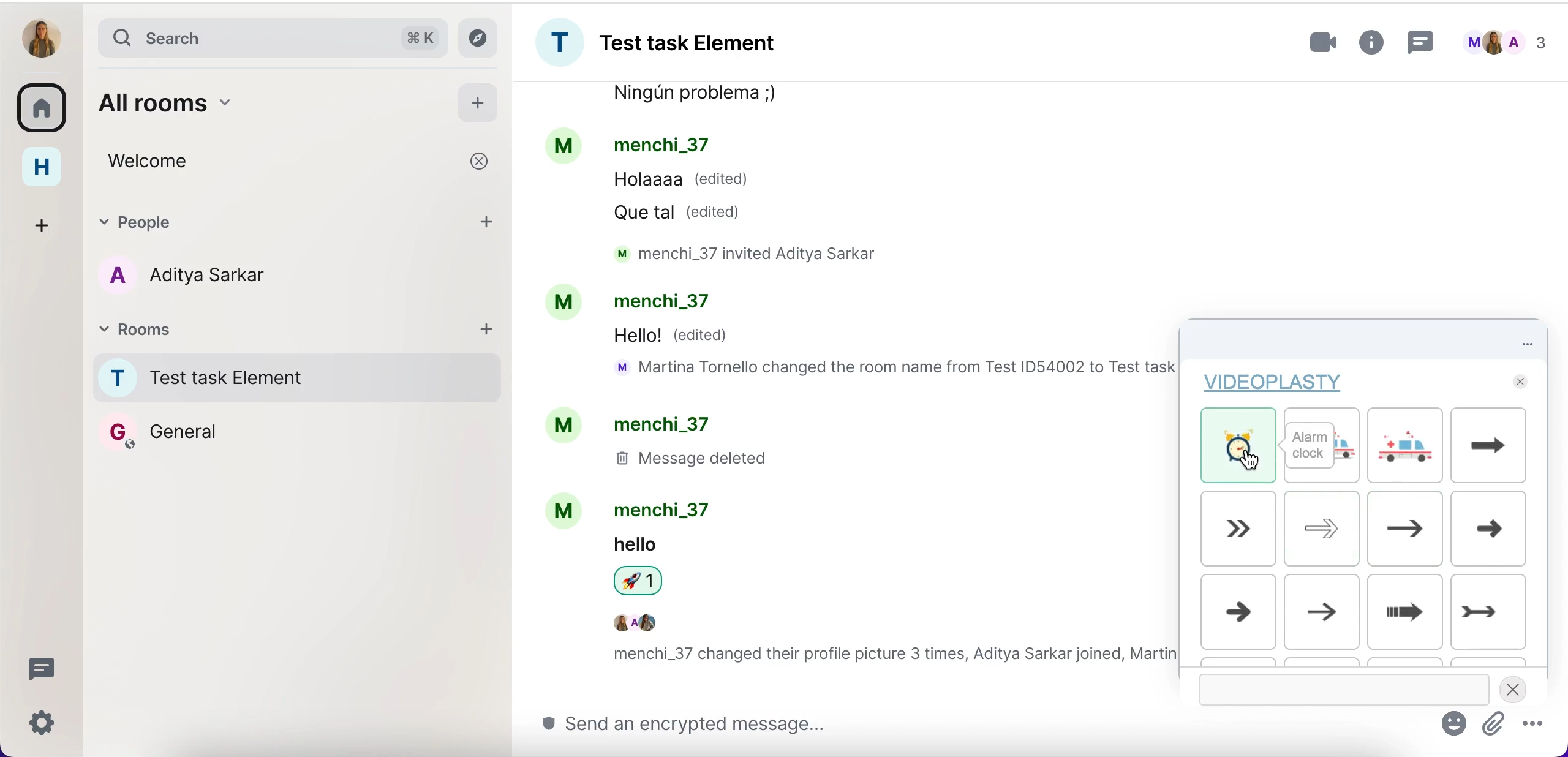 This screenshot has height=757, width=1568. I want to click on cancel, so click(481, 164).